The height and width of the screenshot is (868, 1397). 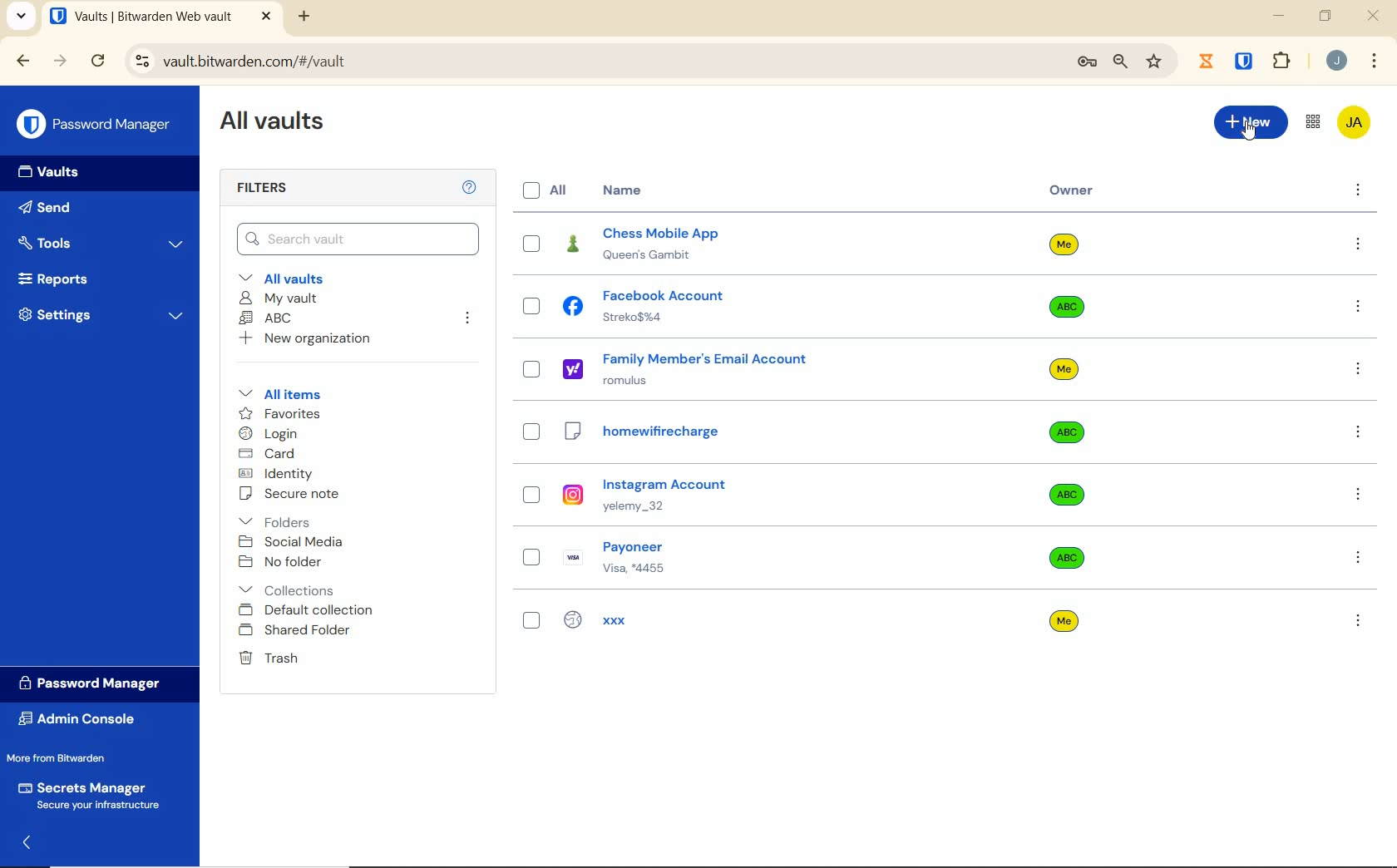 I want to click on customize Google chrome, so click(x=1374, y=62).